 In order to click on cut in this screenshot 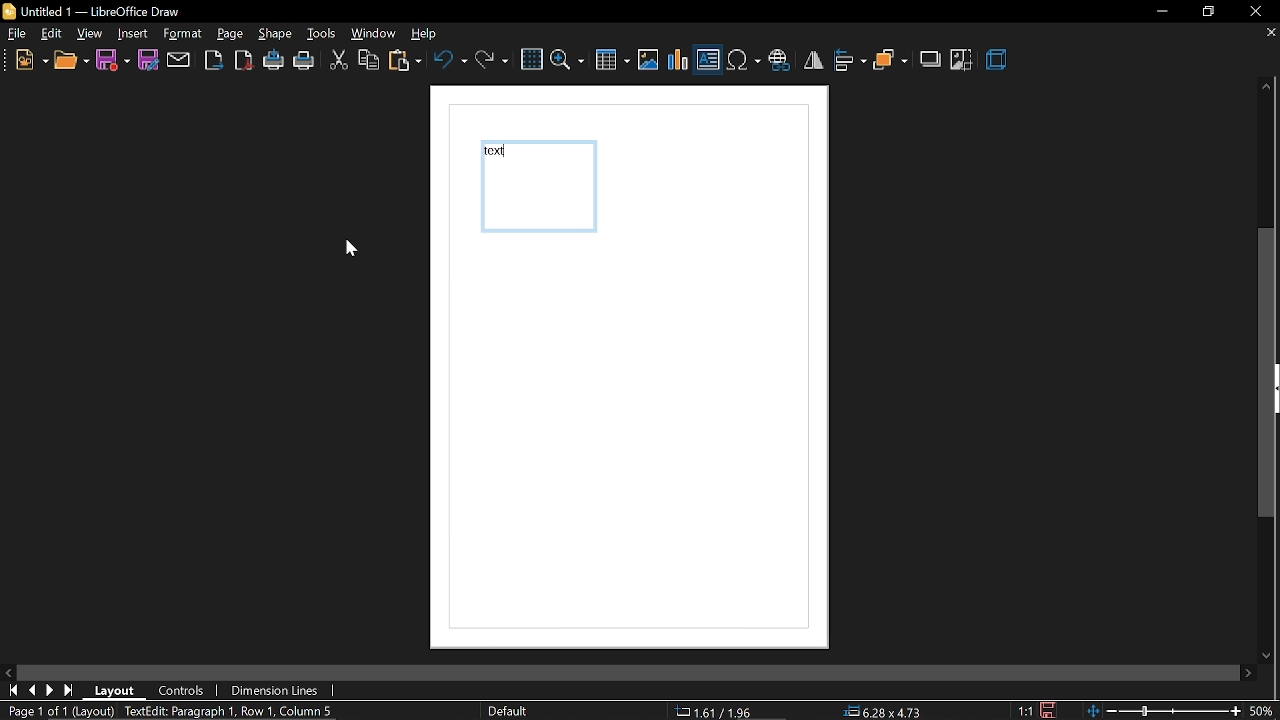, I will do `click(338, 62)`.